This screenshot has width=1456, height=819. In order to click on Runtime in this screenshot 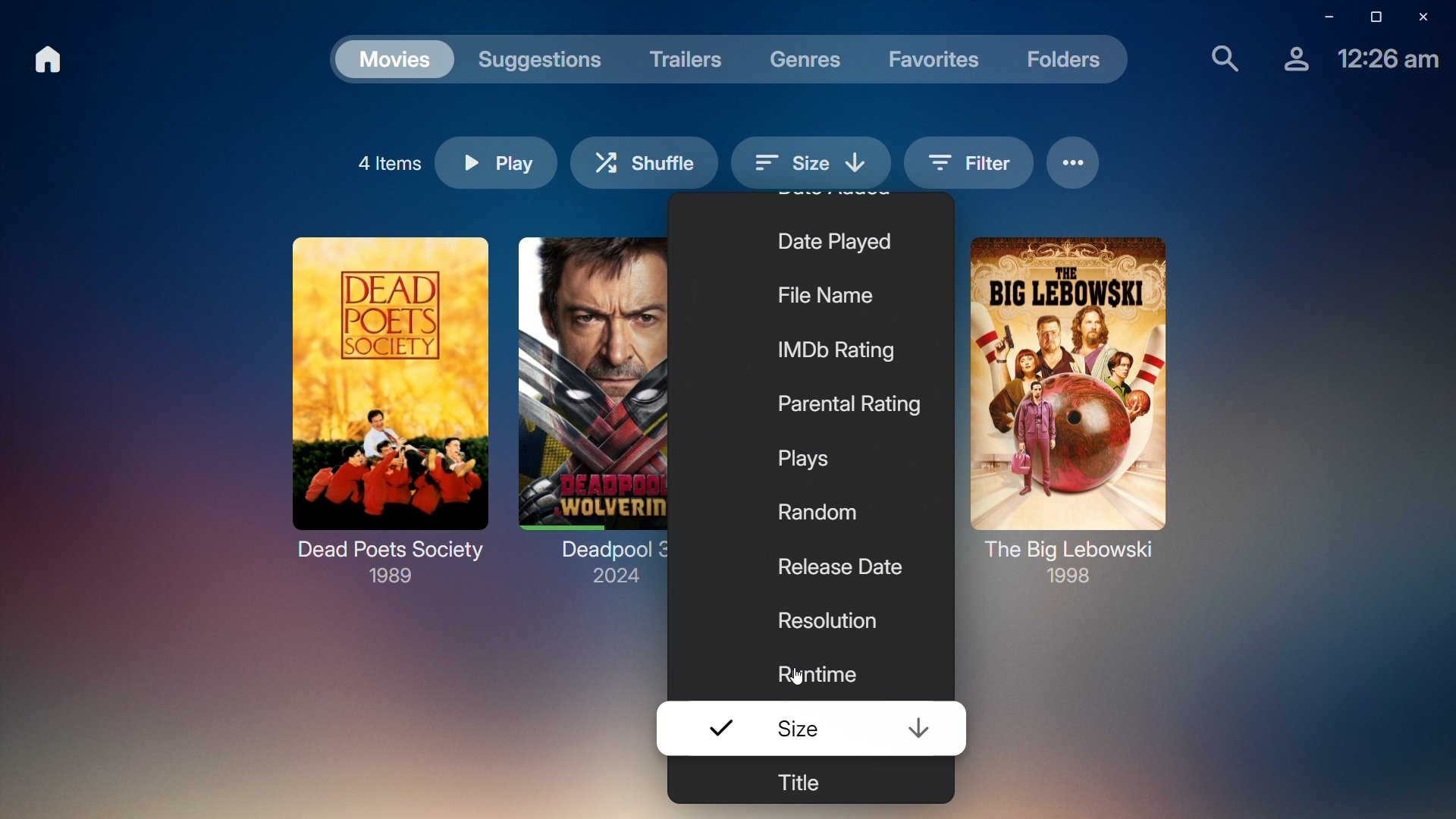, I will do `click(838, 678)`.